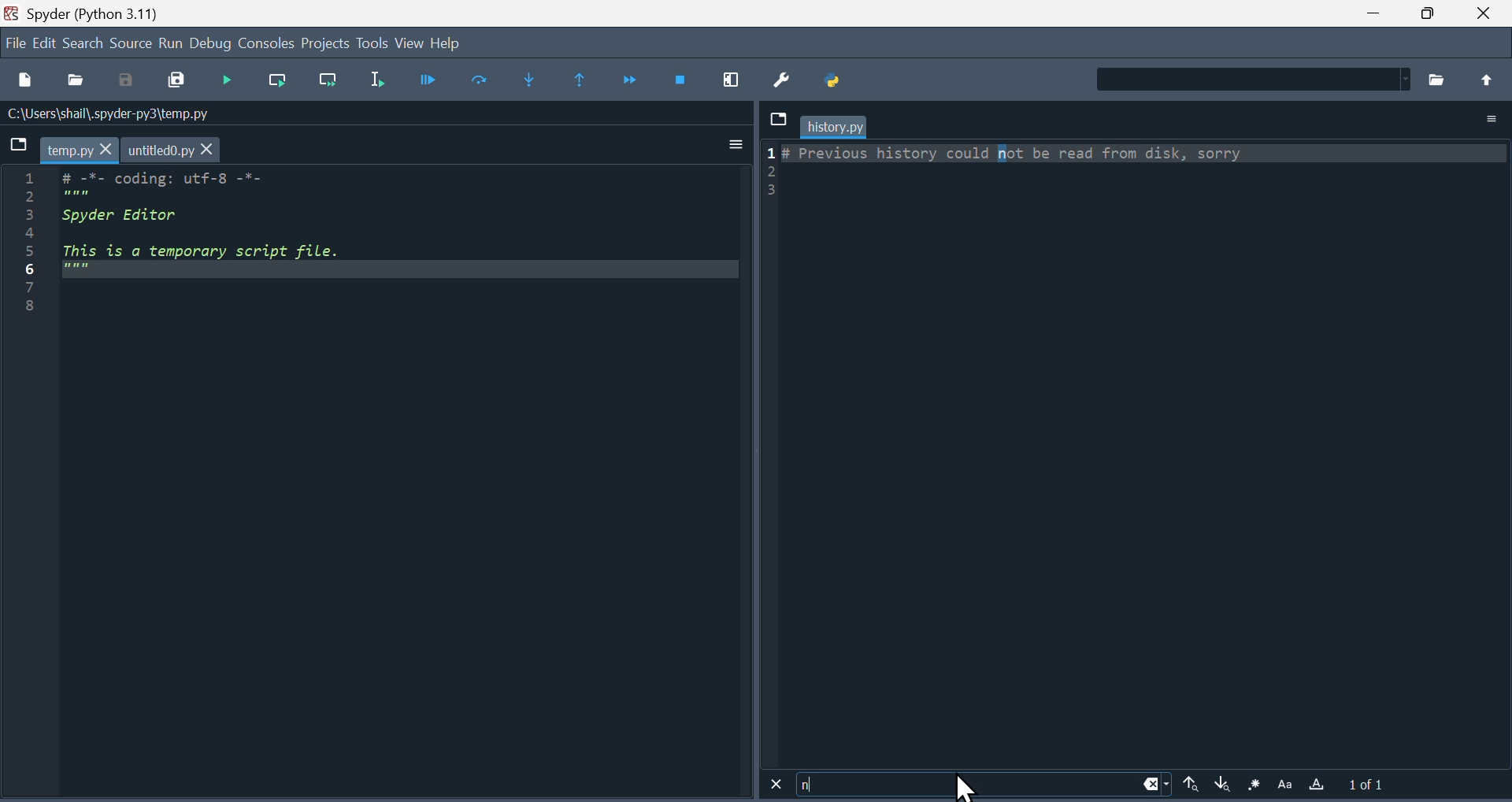 Image resolution: width=1512 pixels, height=802 pixels. What do you see at coordinates (985, 786) in the screenshot?
I see `Search bar with n` at bounding box center [985, 786].